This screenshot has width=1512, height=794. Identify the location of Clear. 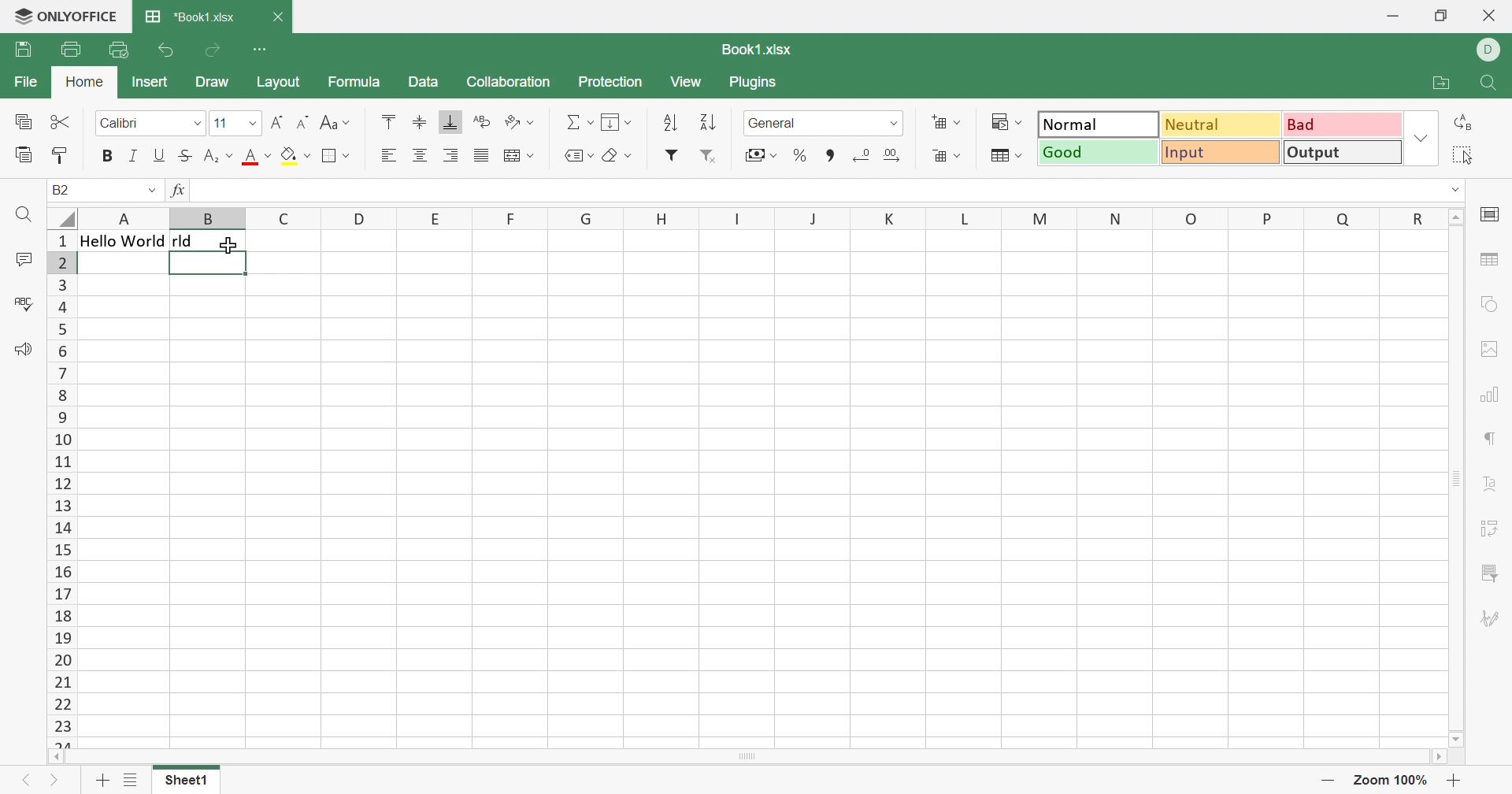
(615, 157).